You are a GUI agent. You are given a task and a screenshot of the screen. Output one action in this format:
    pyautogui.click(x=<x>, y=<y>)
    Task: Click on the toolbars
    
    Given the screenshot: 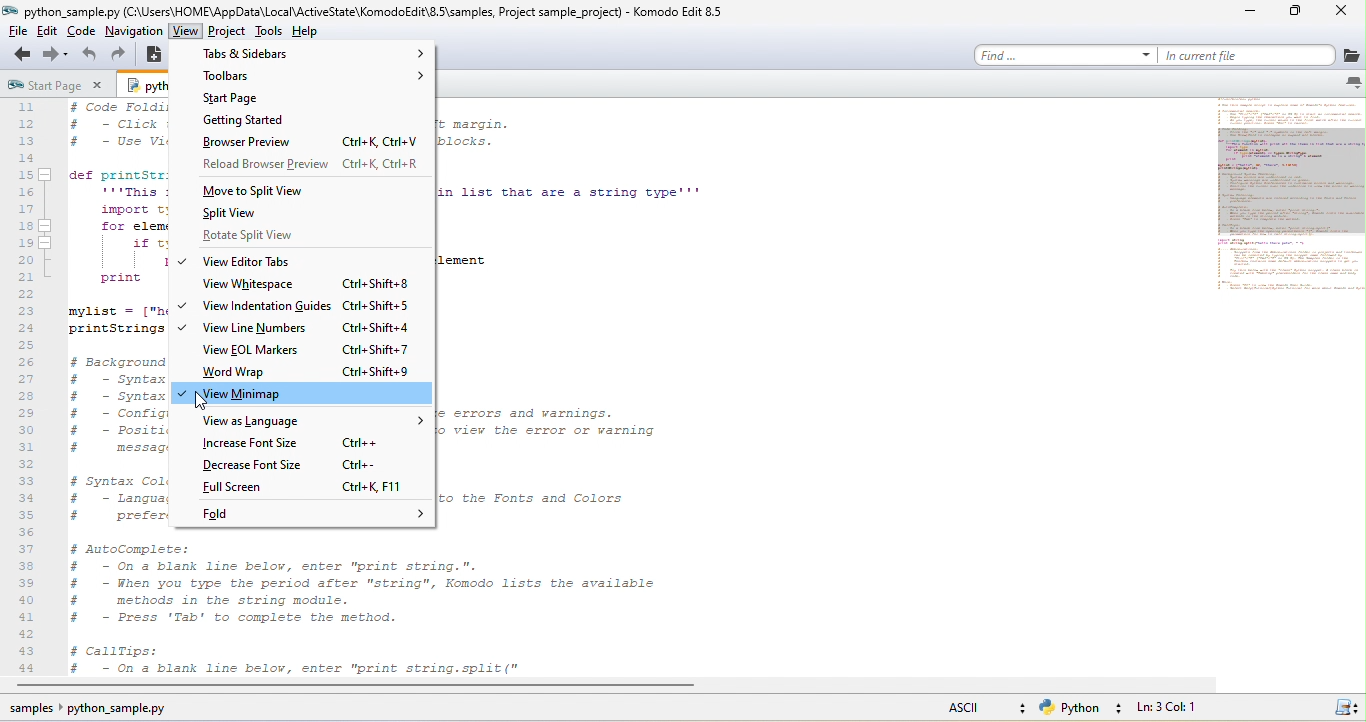 What is the action you would take?
    pyautogui.click(x=309, y=75)
    